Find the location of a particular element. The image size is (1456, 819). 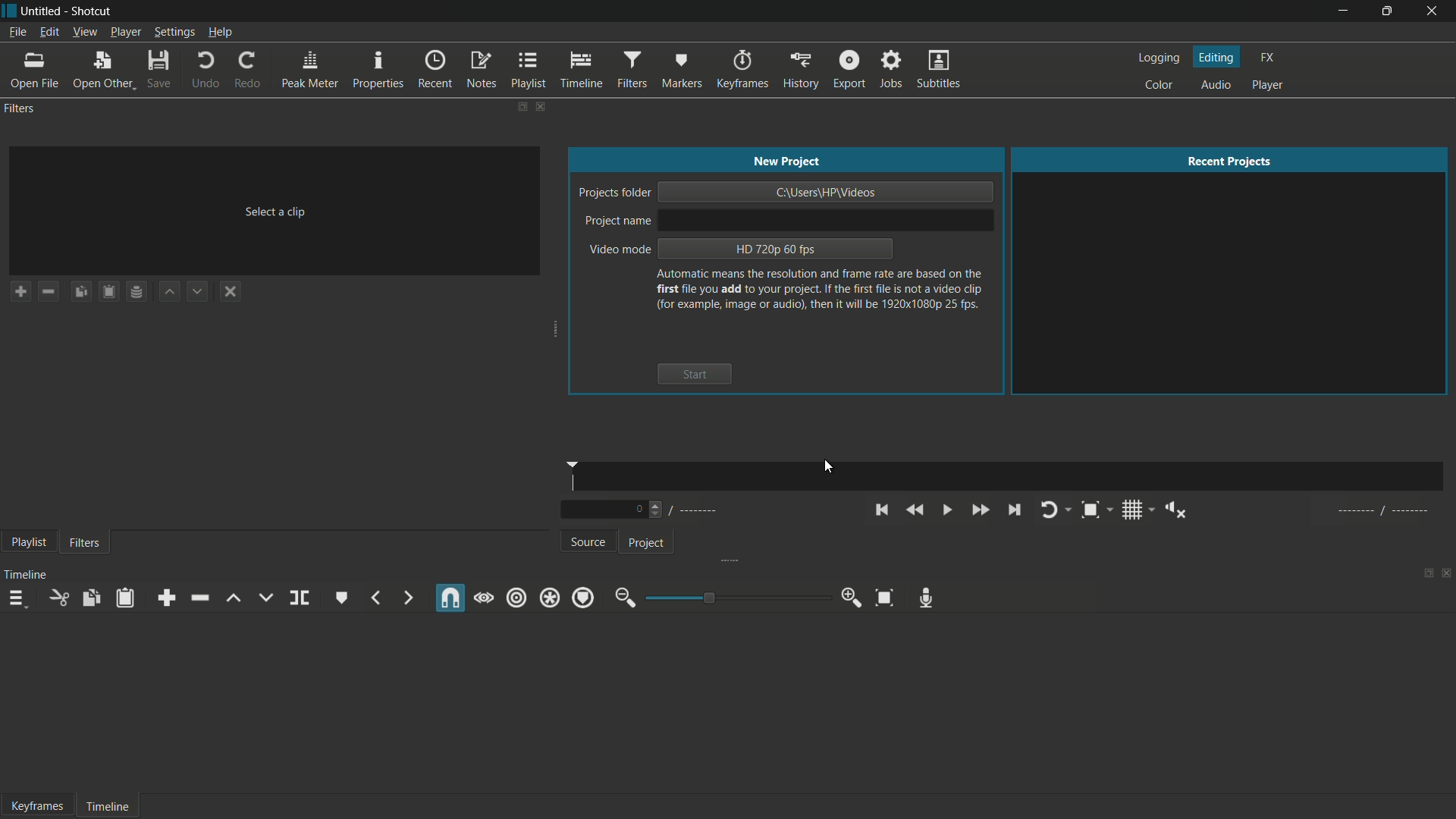

copy is located at coordinates (92, 599).